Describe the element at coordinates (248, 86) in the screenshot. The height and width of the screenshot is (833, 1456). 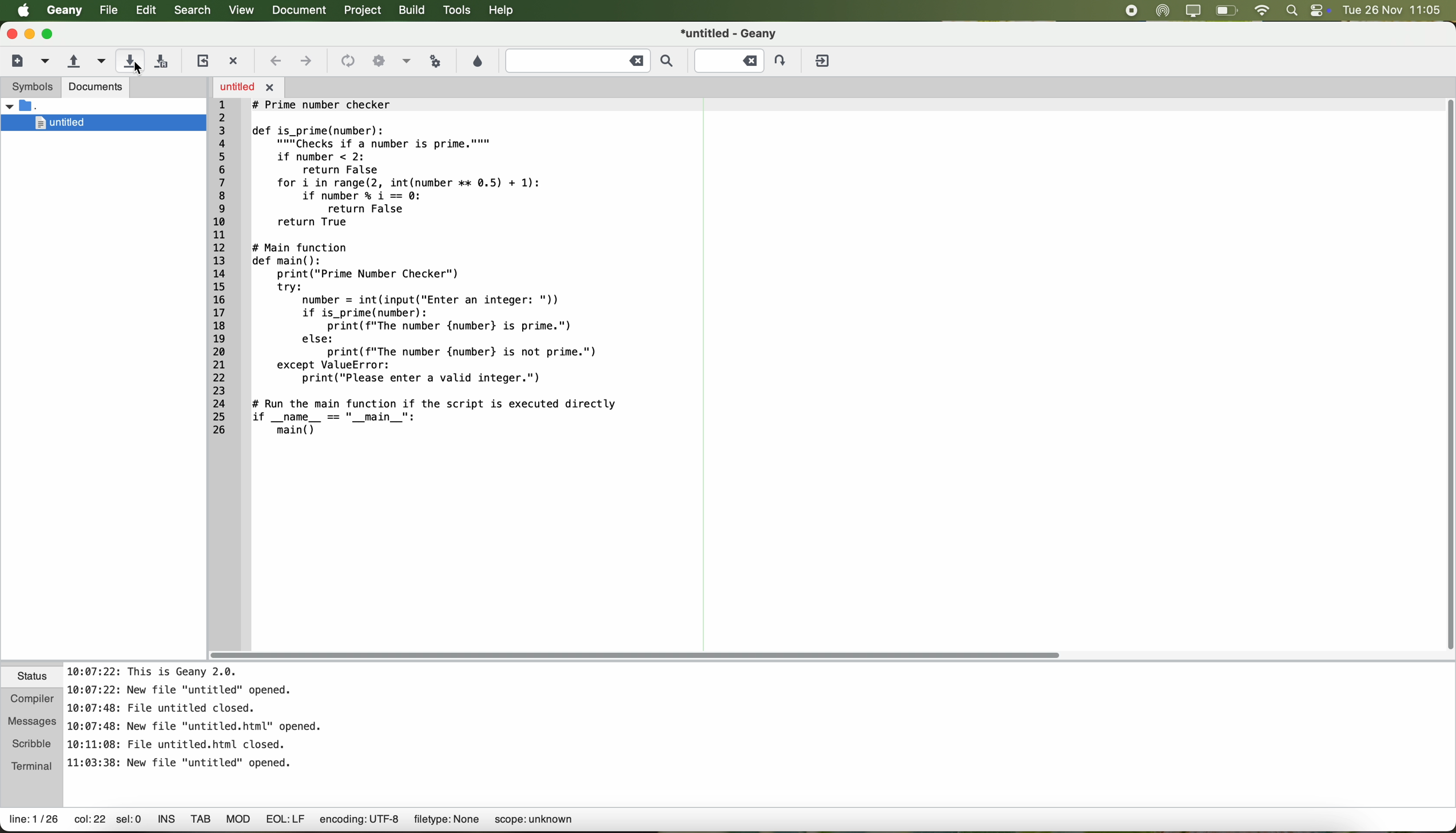
I see `open file` at that location.